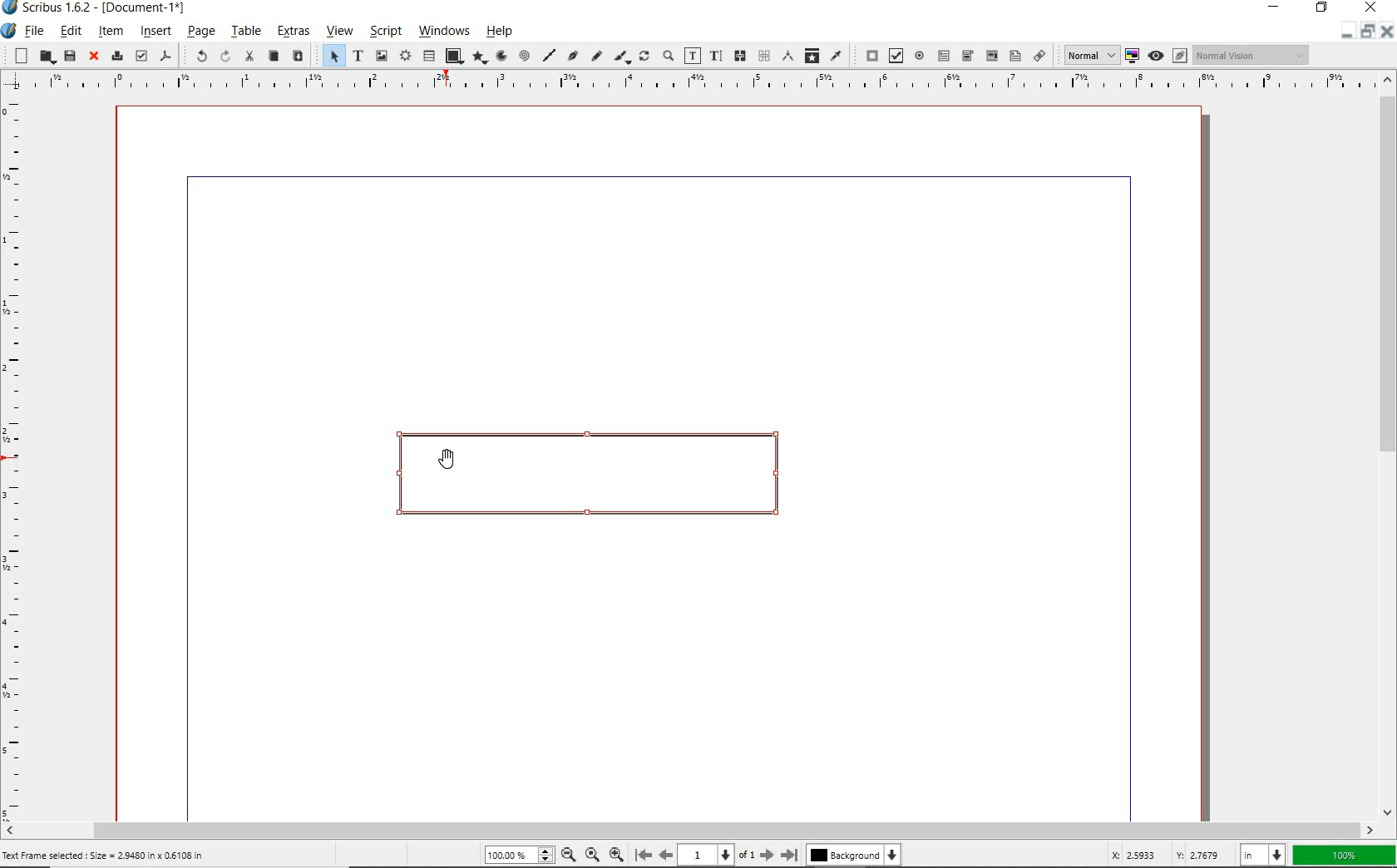  I want to click on First page, so click(642, 856).